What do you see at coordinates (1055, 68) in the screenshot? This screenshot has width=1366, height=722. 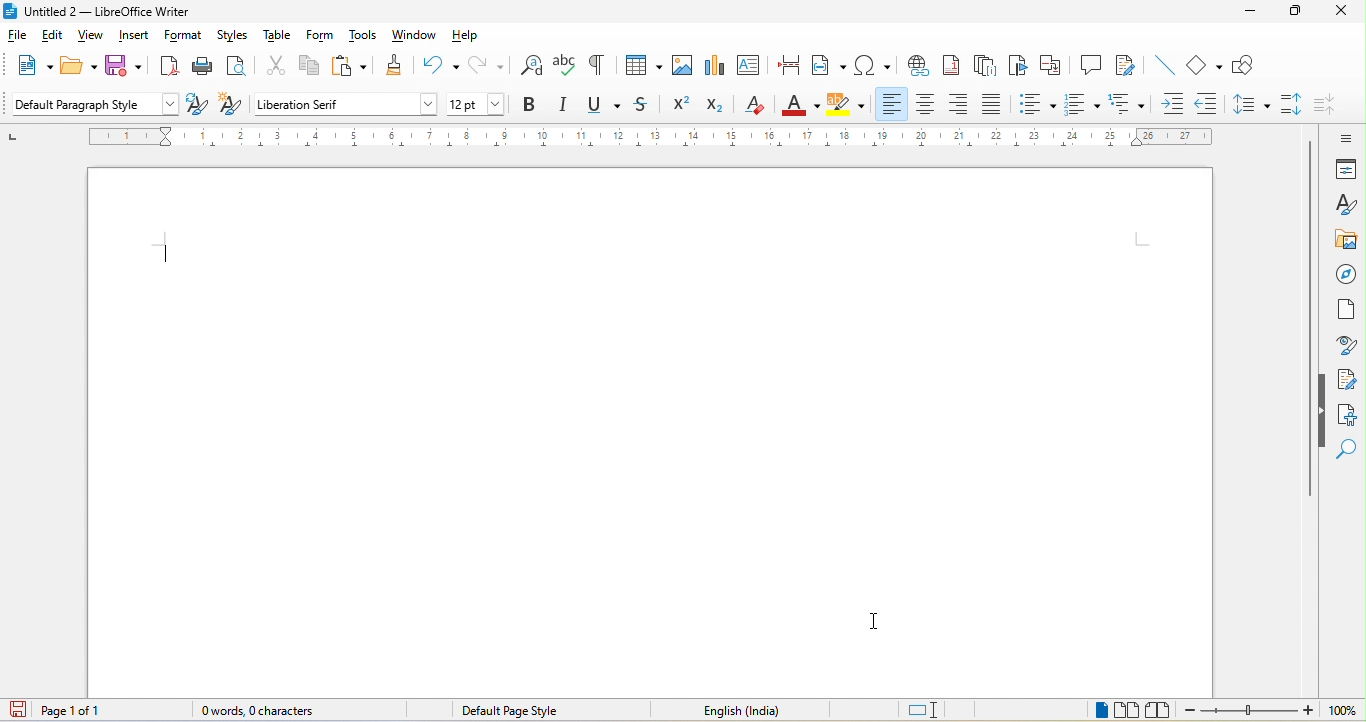 I see `cross reference` at bounding box center [1055, 68].